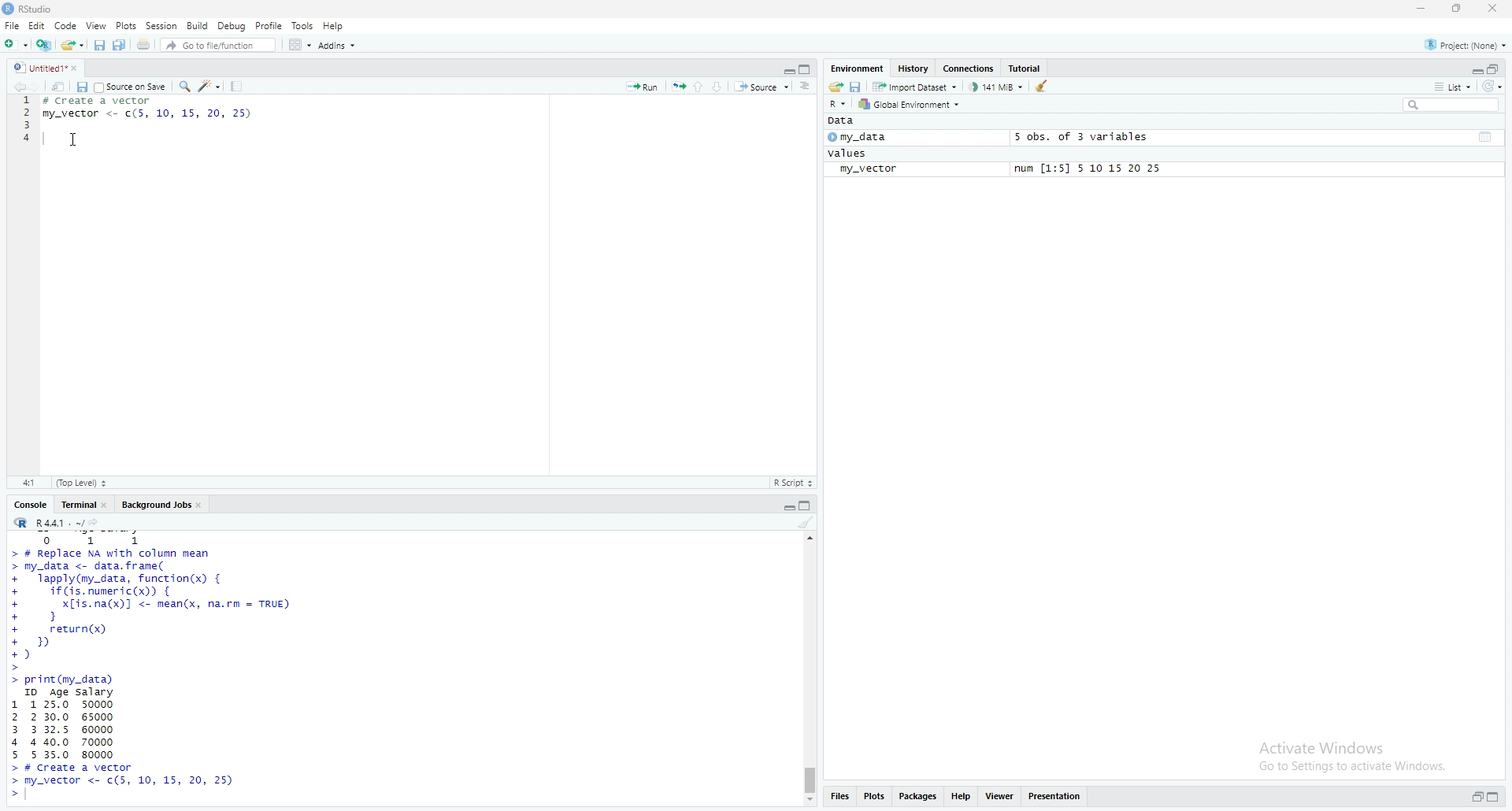 The image size is (1512, 811). What do you see at coordinates (157, 111) in the screenshot?
I see `data frame code` at bounding box center [157, 111].